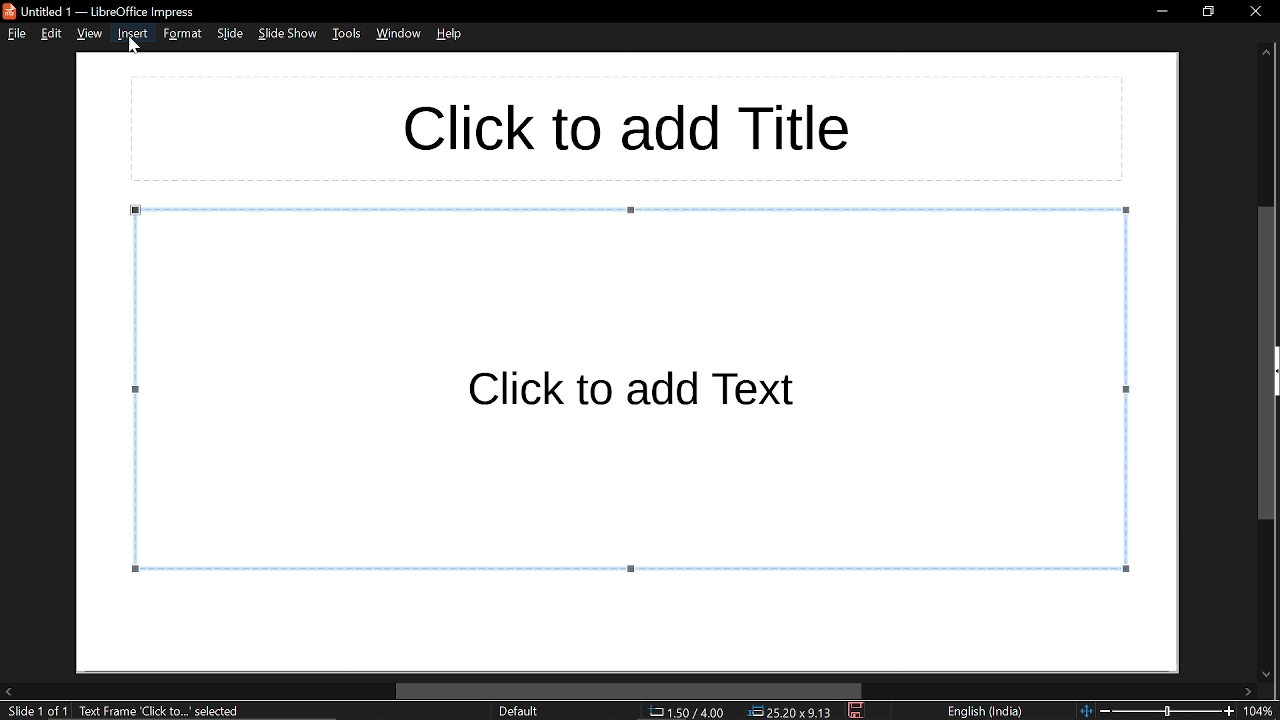  I want to click on slideshow, so click(289, 34).